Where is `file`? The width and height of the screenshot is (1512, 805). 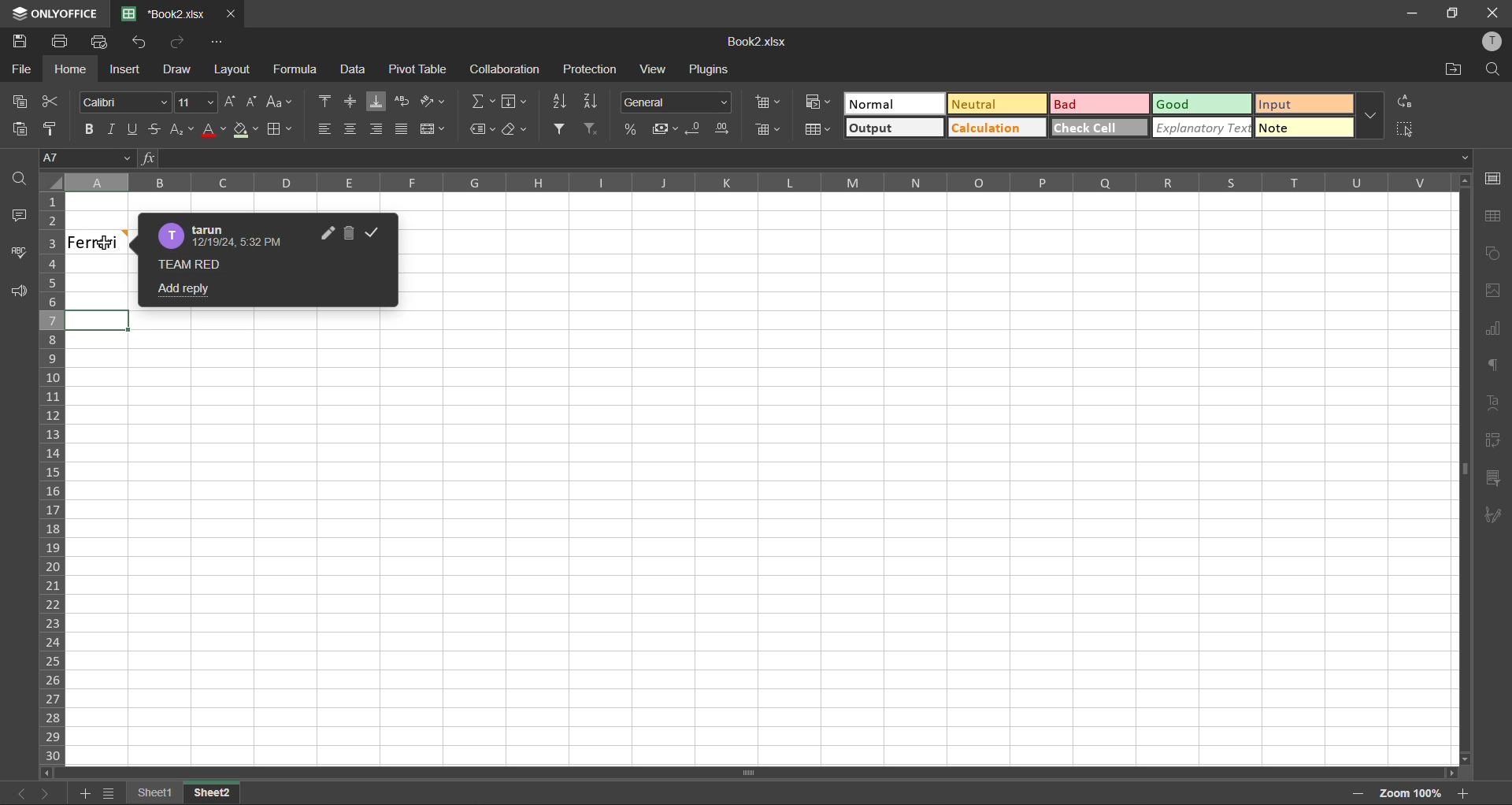
file is located at coordinates (22, 69).